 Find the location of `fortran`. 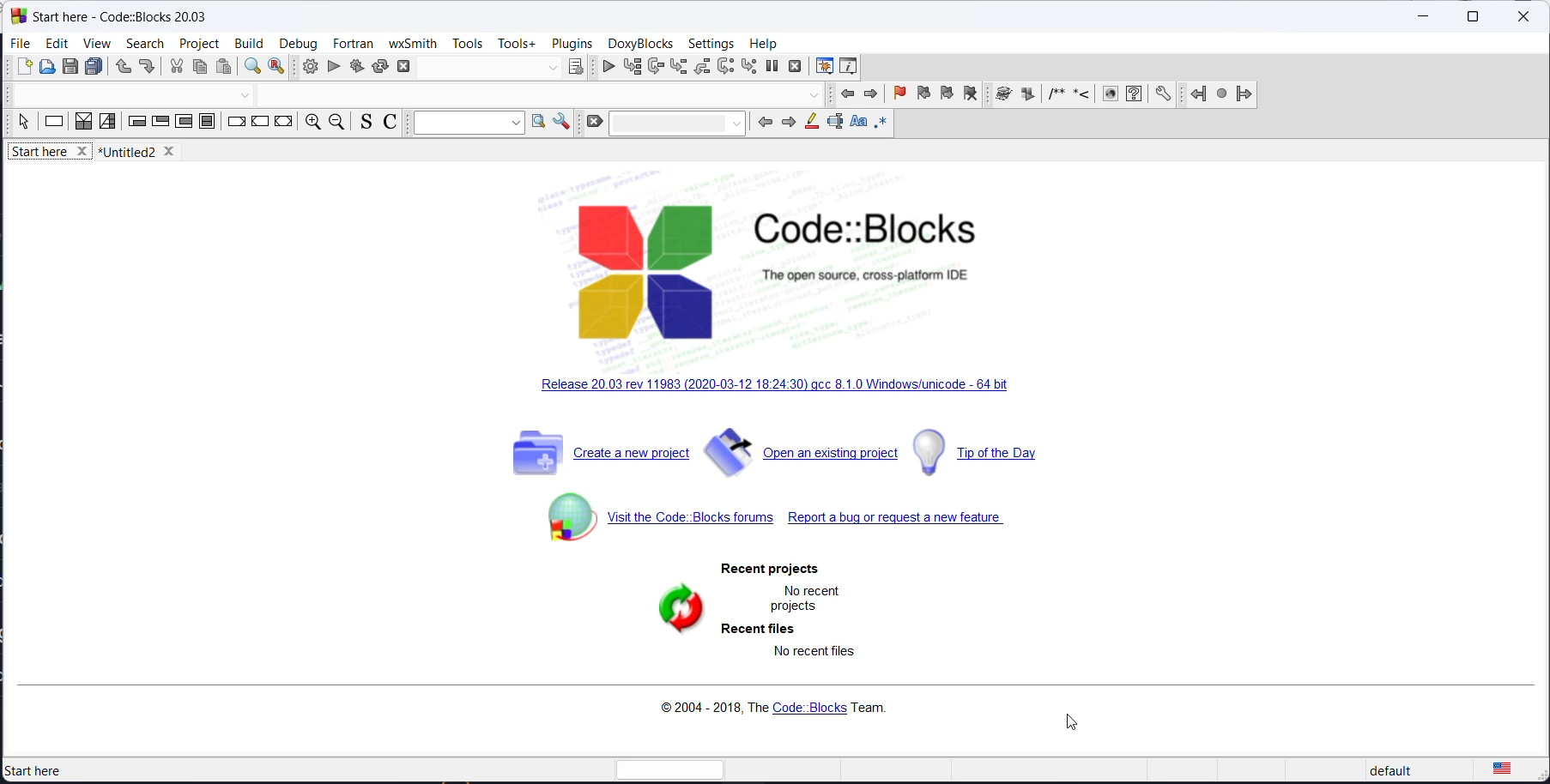

fortran is located at coordinates (353, 43).